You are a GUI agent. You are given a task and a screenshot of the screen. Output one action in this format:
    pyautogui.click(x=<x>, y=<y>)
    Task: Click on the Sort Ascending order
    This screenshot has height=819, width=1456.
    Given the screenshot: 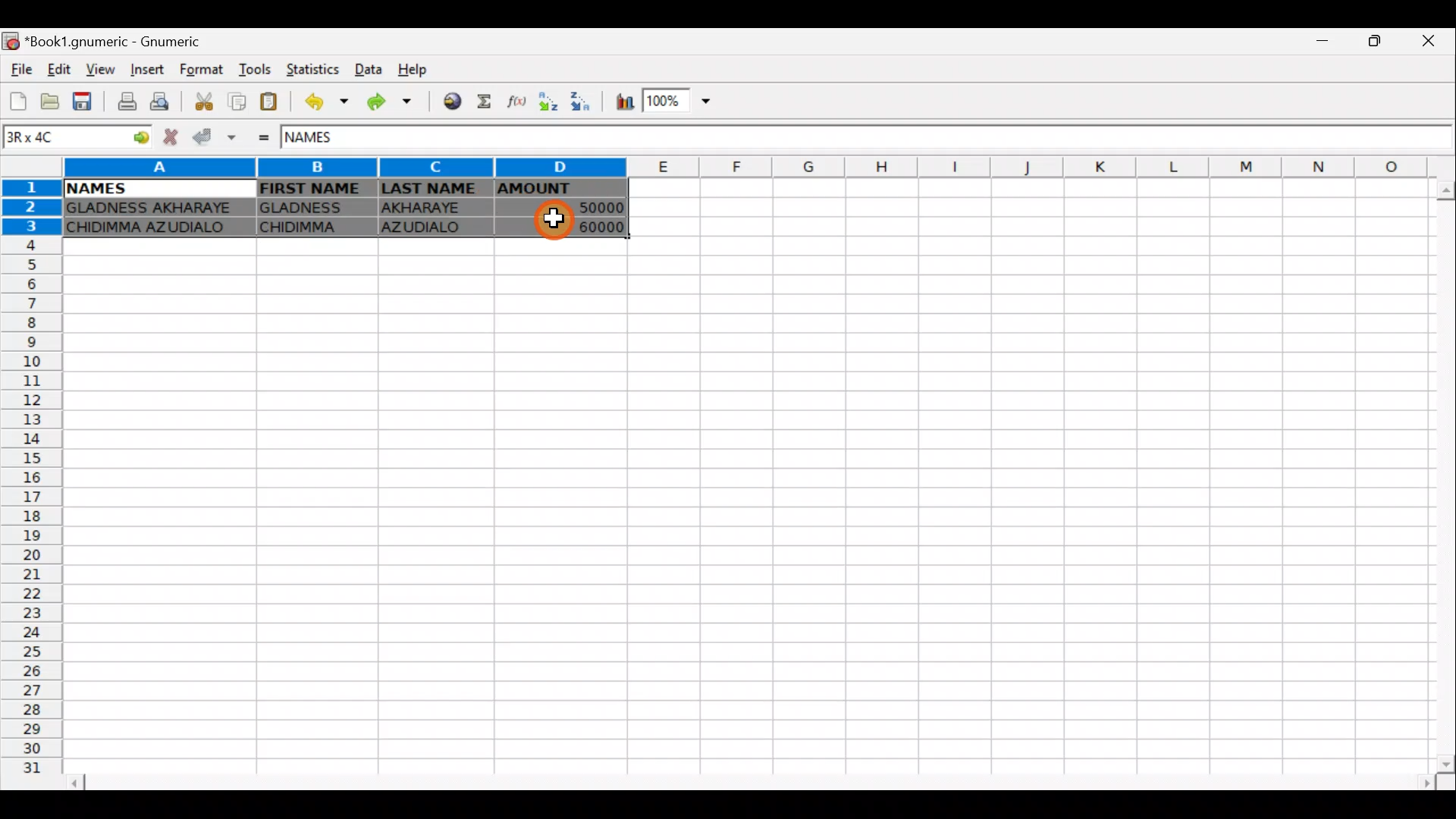 What is the action you would take?
    pyautogui.click(x=547, y=102)
    